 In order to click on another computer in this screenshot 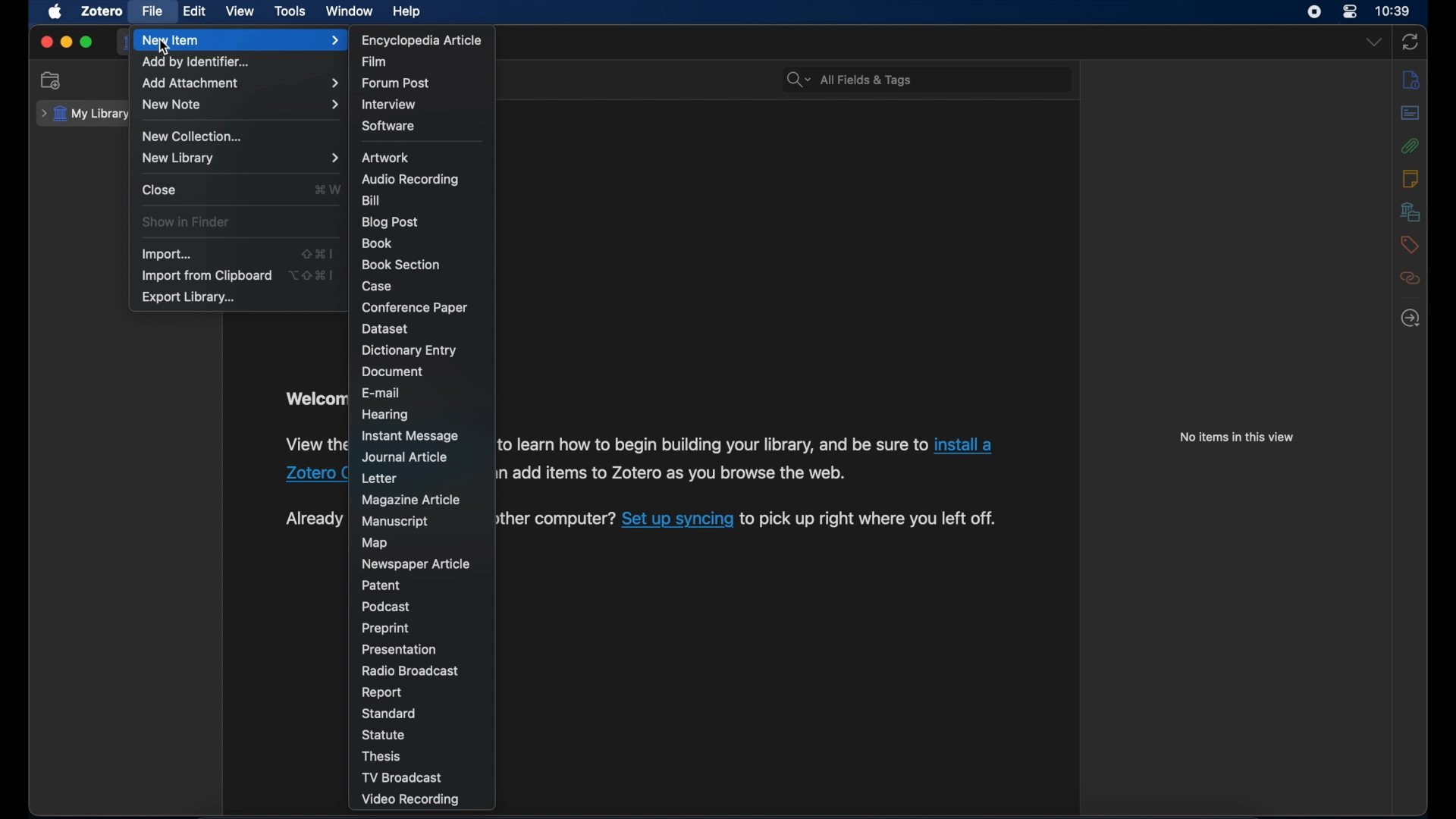, I will do `click(557, 519)`.